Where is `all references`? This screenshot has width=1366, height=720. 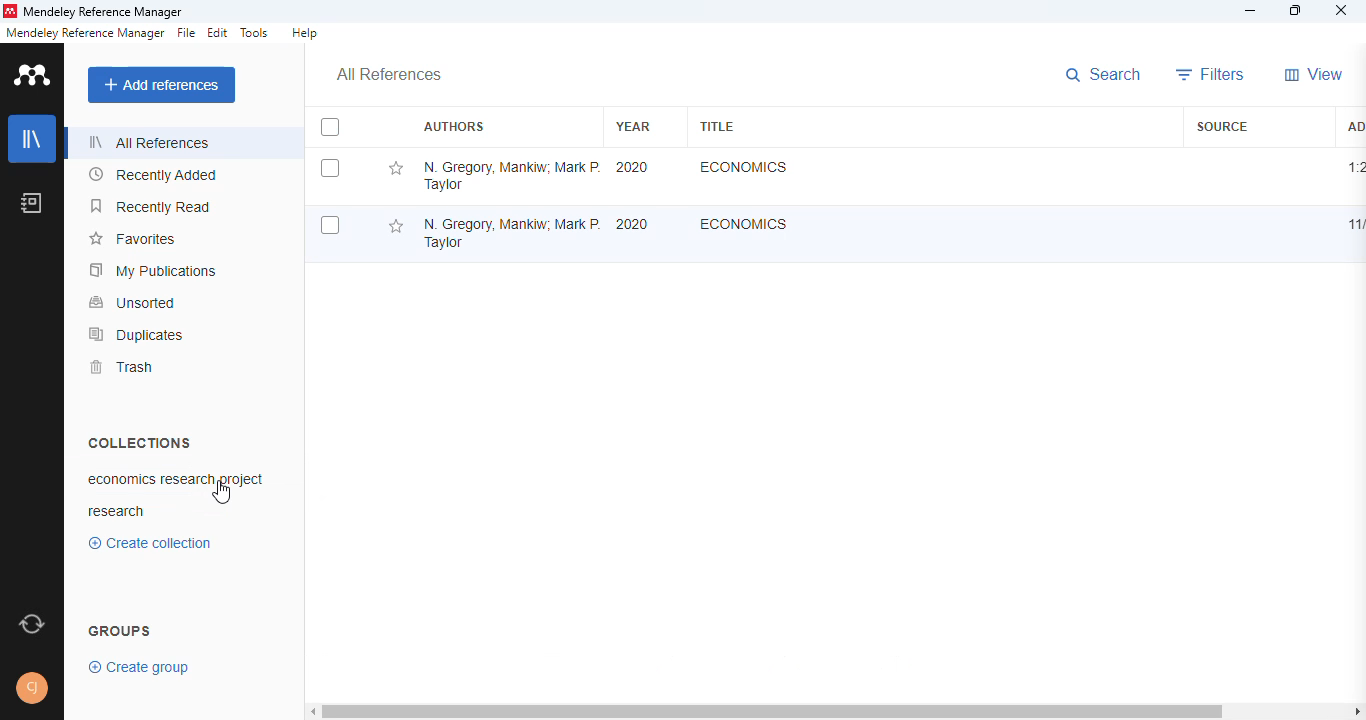
all references is located at coordinates (389, 75).